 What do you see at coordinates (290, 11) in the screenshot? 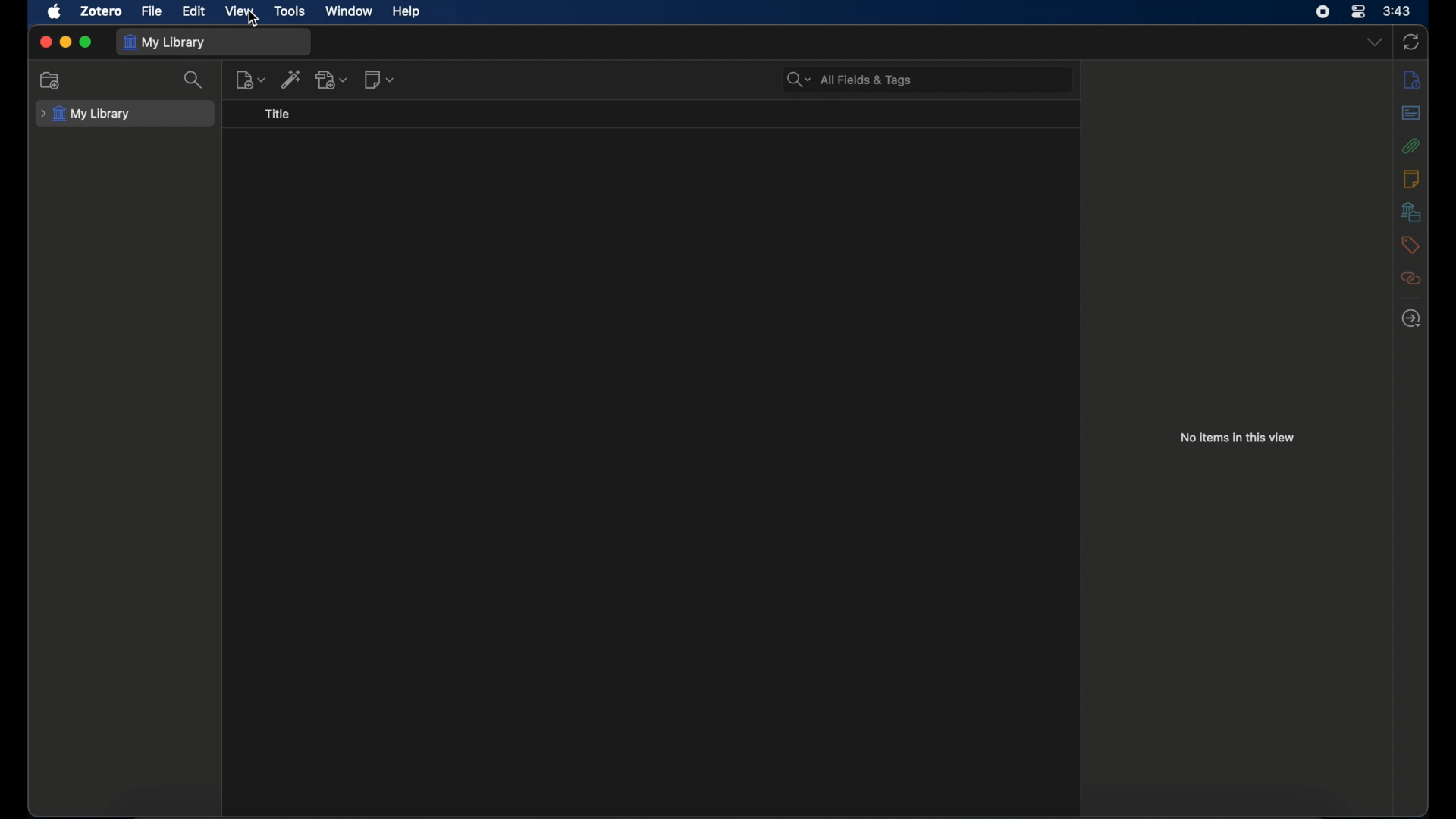
I see `tools` at bounding box center [290, 11].